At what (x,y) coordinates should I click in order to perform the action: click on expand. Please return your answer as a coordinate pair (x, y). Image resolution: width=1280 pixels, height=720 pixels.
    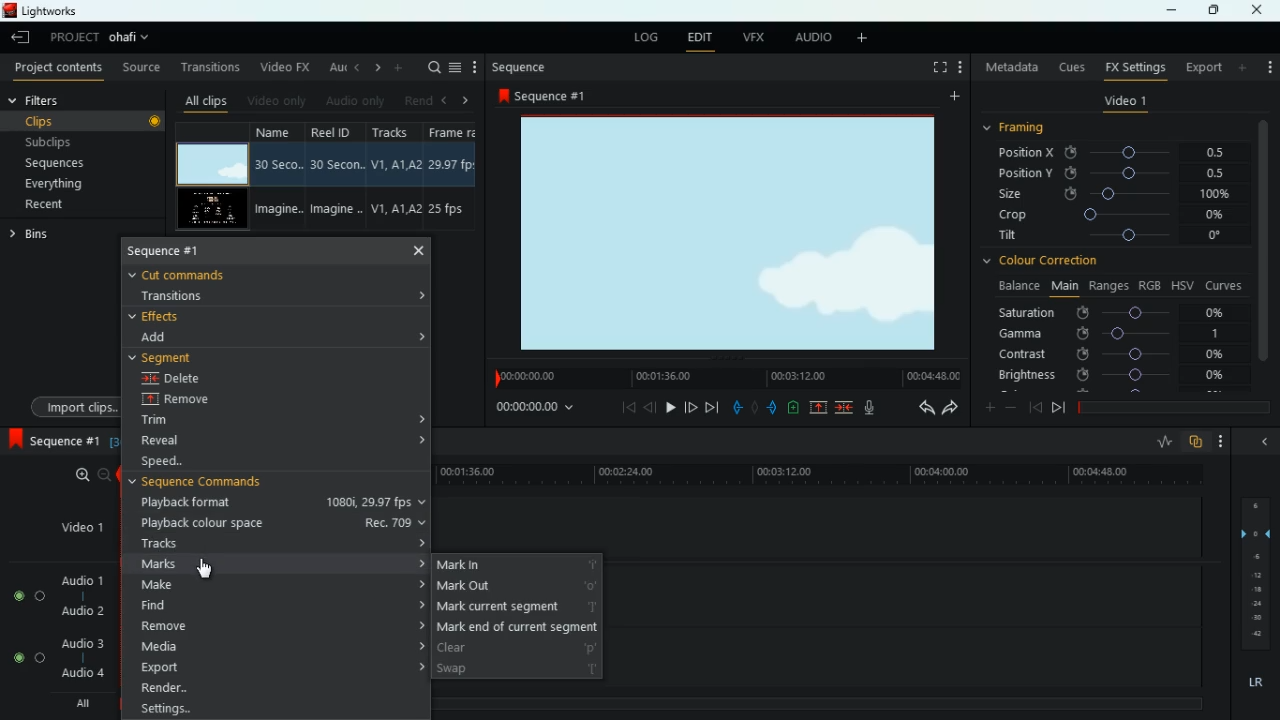
    Looking at the image, I should click on (419, 416).